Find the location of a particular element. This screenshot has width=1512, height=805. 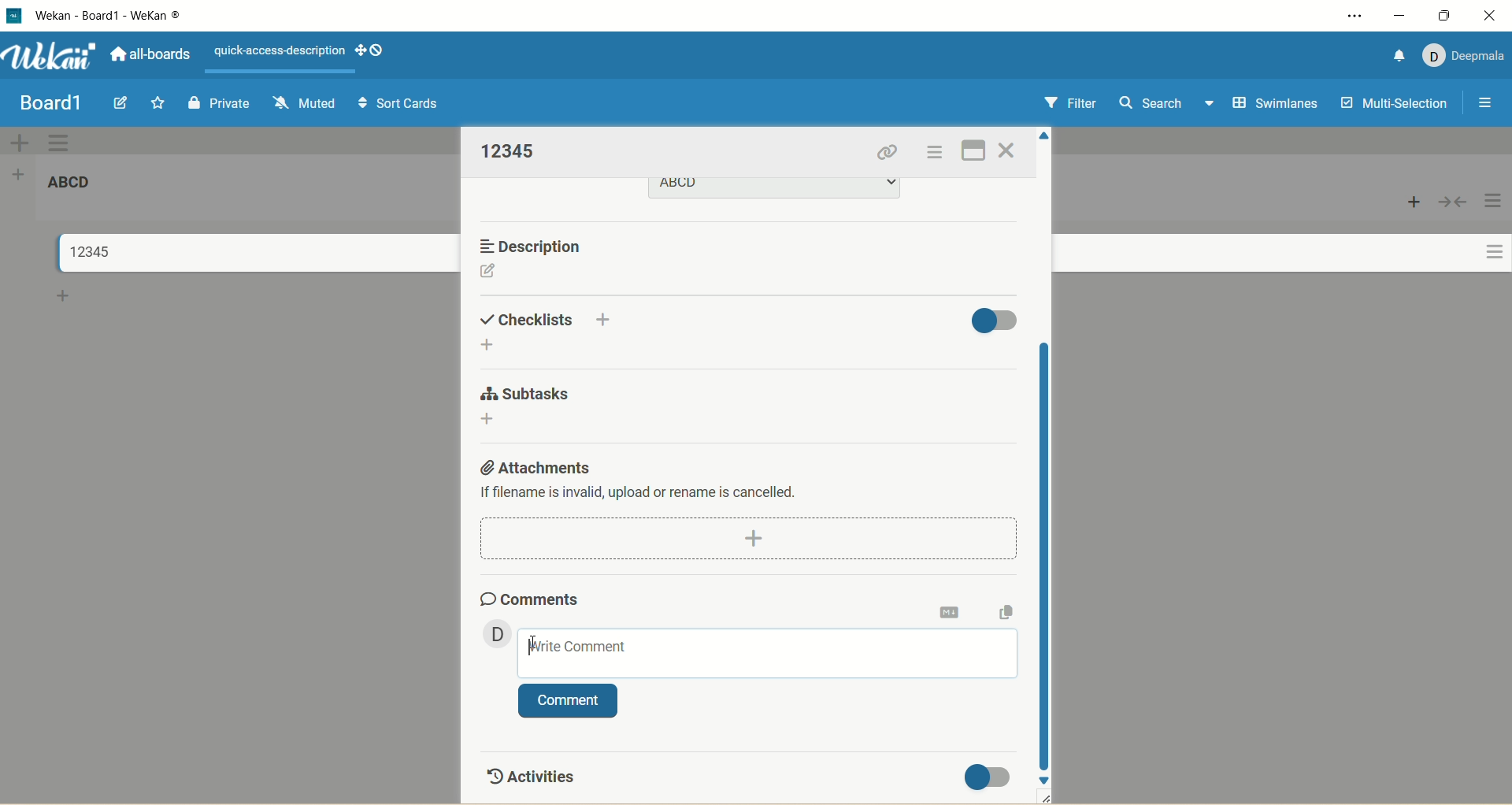

filter is located at coordinates (1067, 105).